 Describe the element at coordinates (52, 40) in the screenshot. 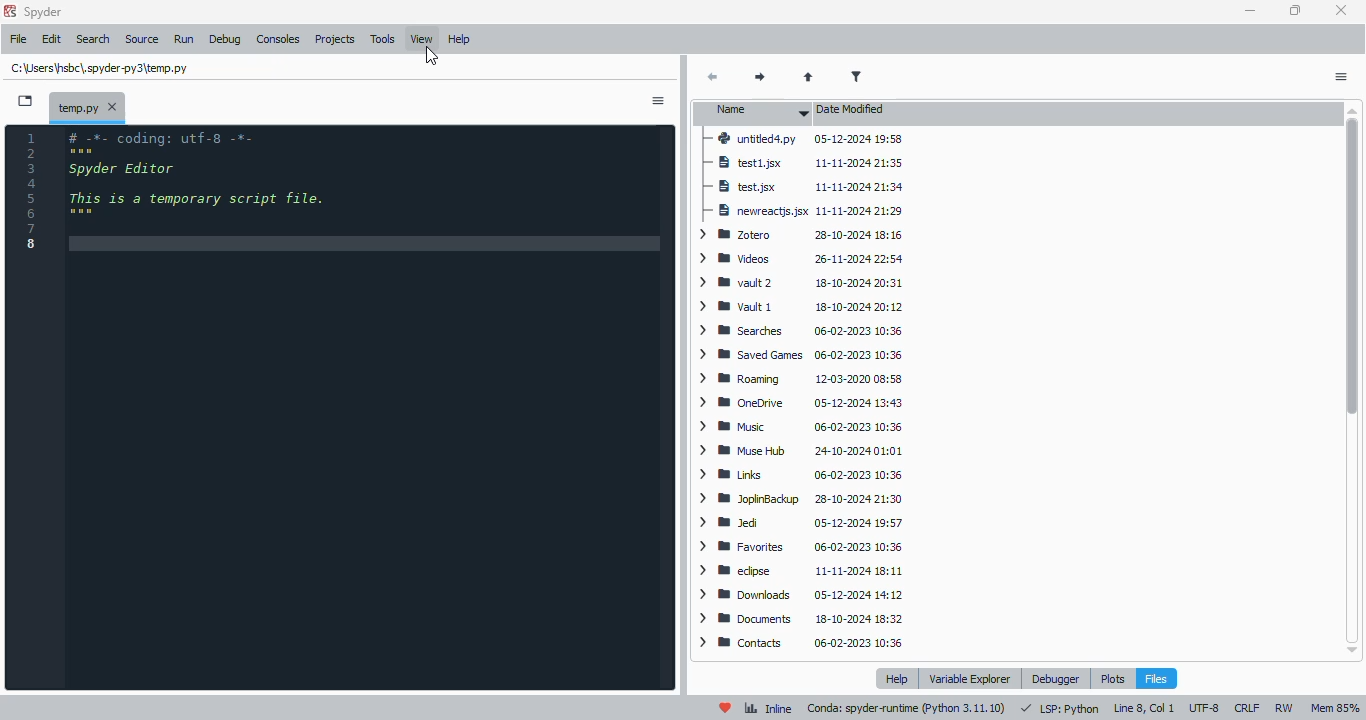

I see `edit` at that location.